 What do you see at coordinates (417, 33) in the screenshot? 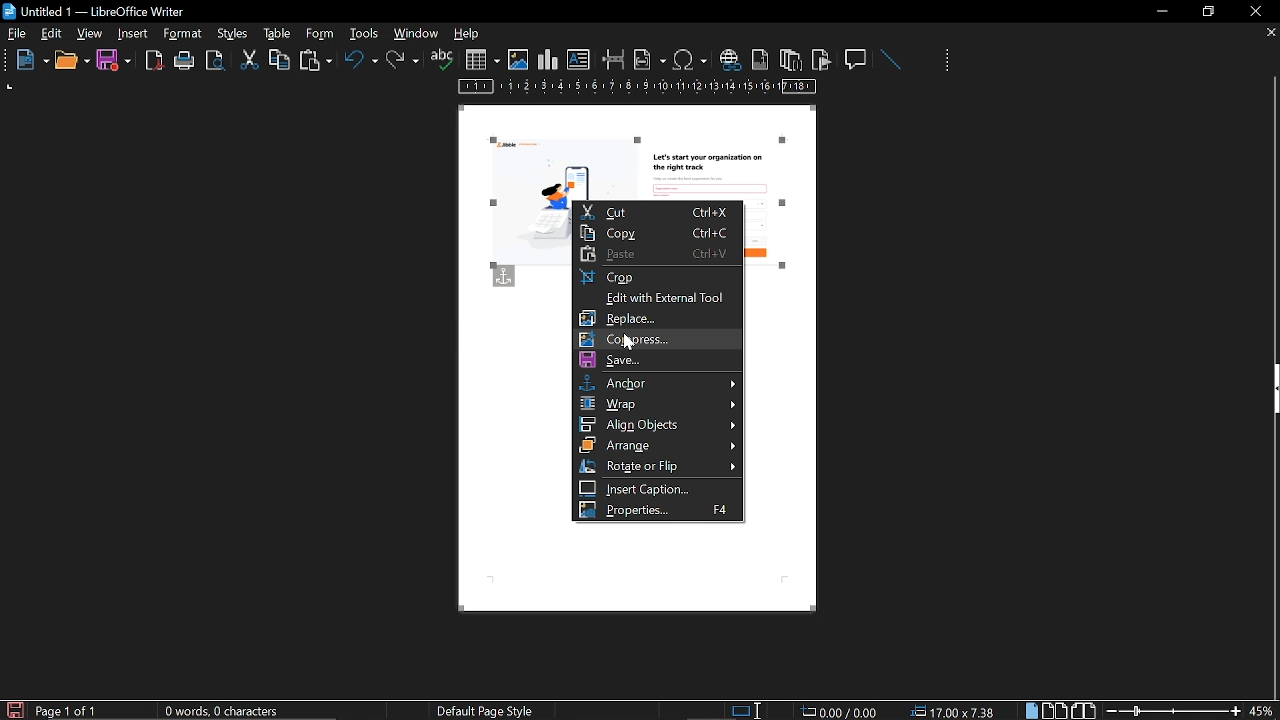
I see `window` at bounding box center [417, 33].